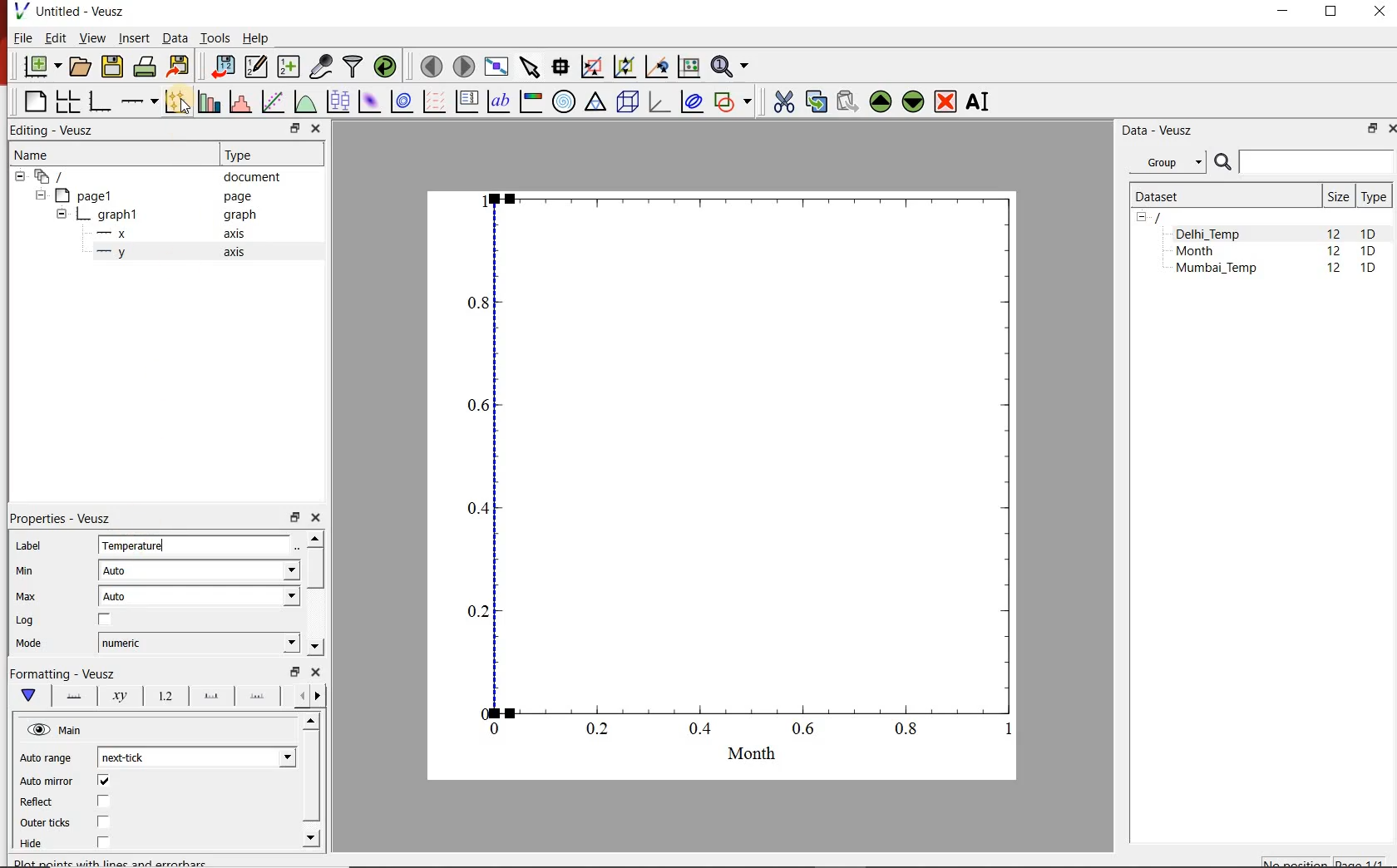 This screenshot has width=1397, height=868. Describe the element at coordinates (145, 67) in the screenshot. I see `print the document` at that location.